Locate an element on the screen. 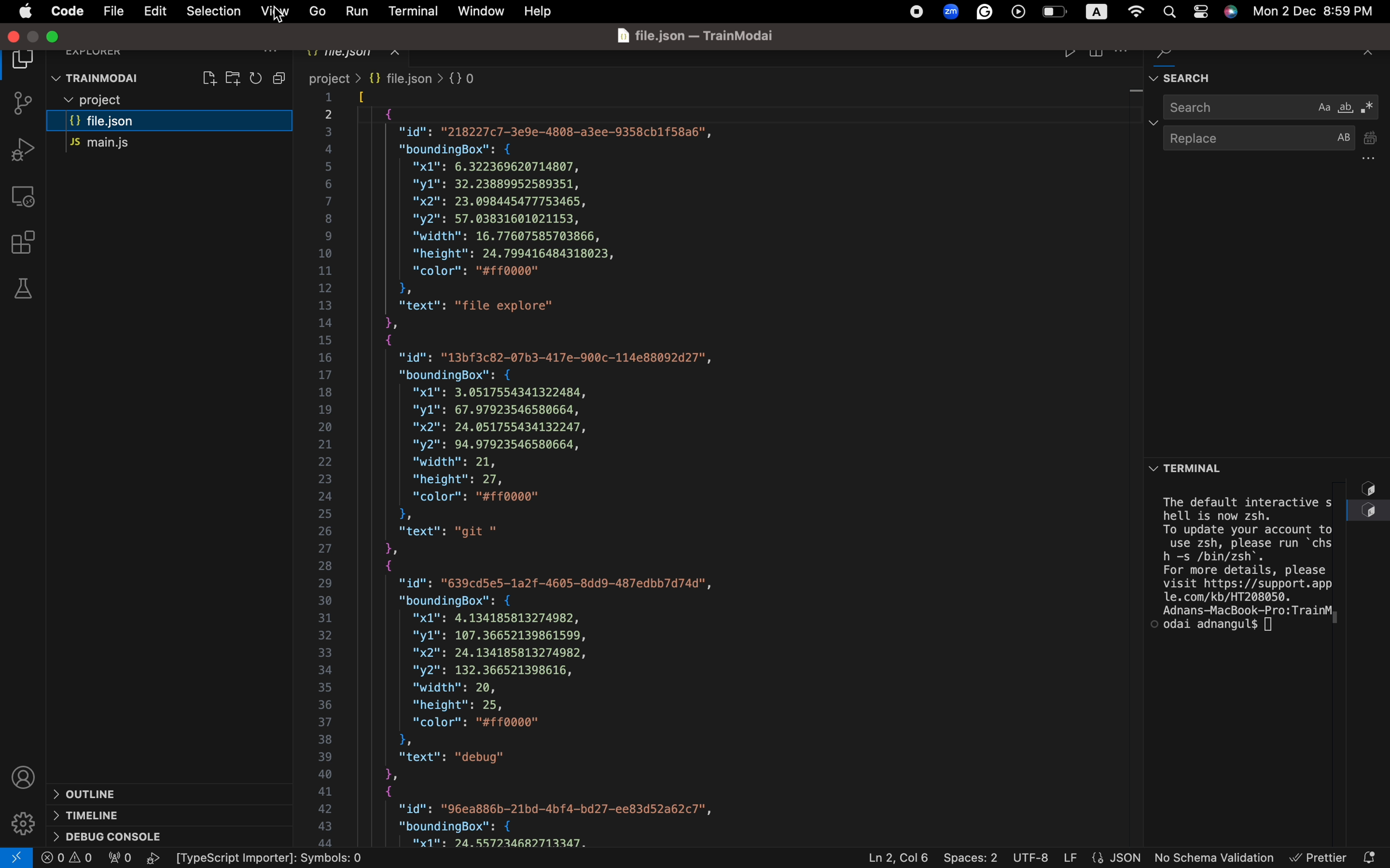 This screenshot has width=1390, height=868. maximize is located at coordinates (34, 33).